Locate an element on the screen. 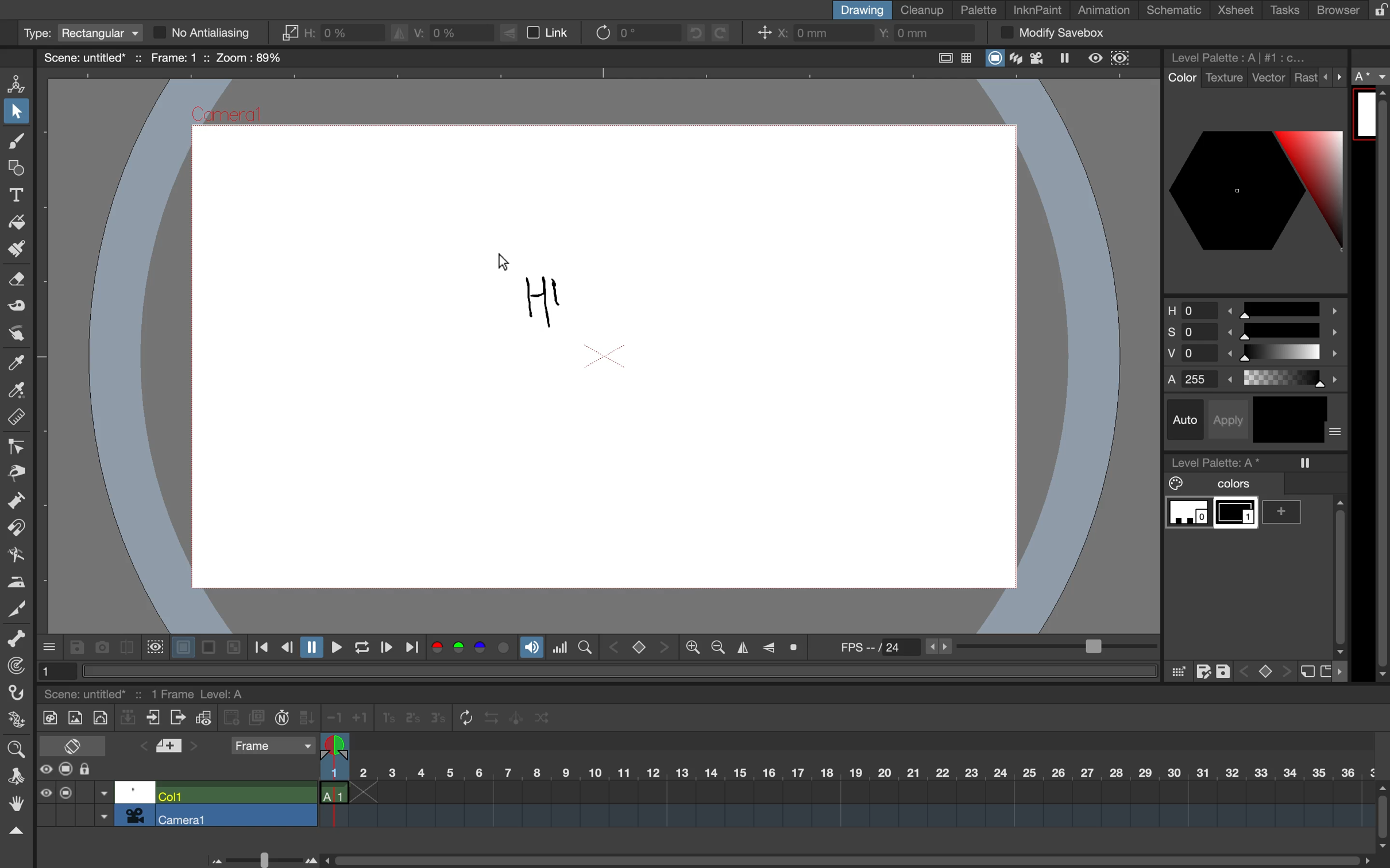  frames per second is located at coordinates (991, 648).